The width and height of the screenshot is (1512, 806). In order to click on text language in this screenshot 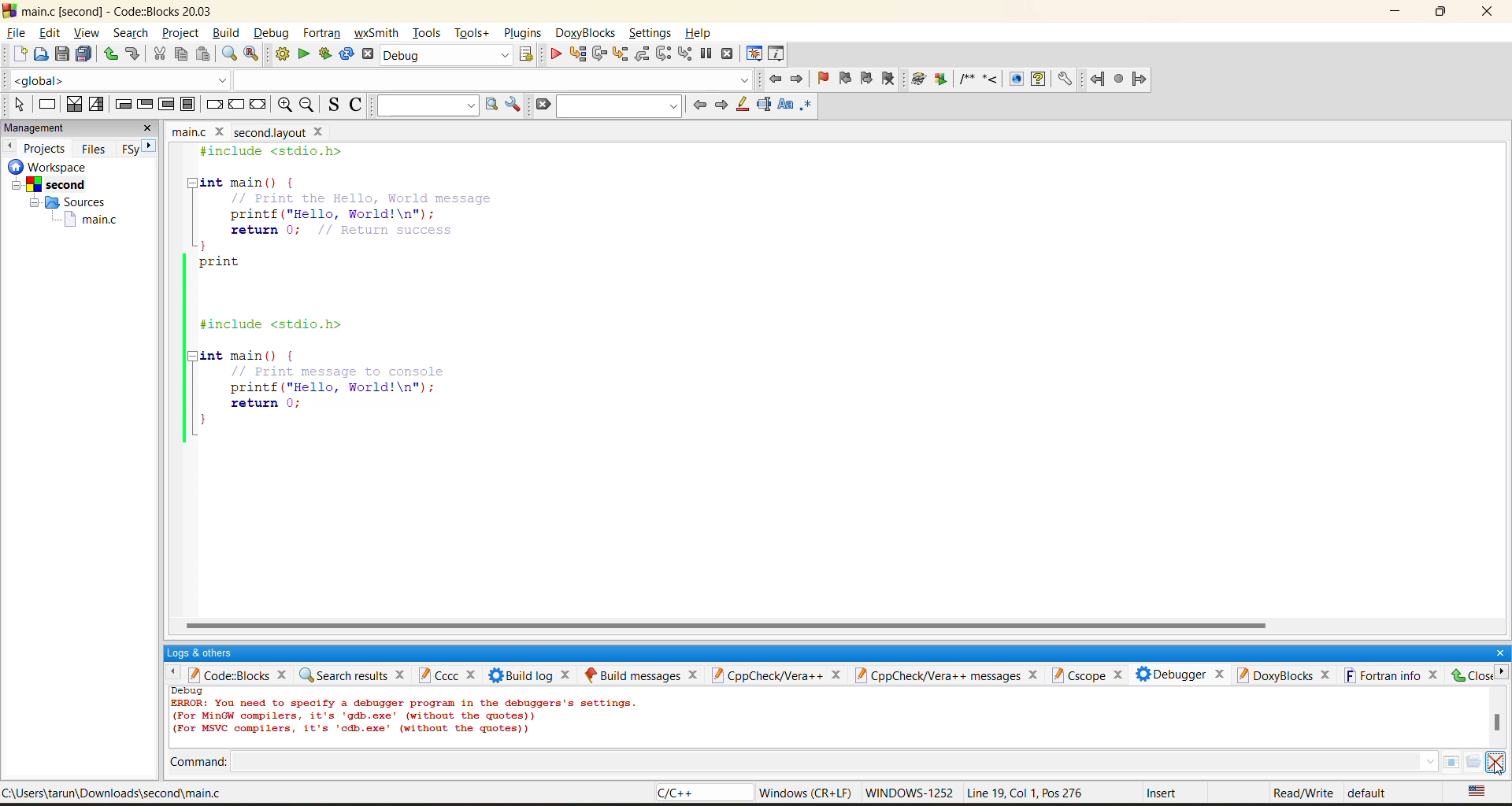, I will do `click(1480, 794)`.